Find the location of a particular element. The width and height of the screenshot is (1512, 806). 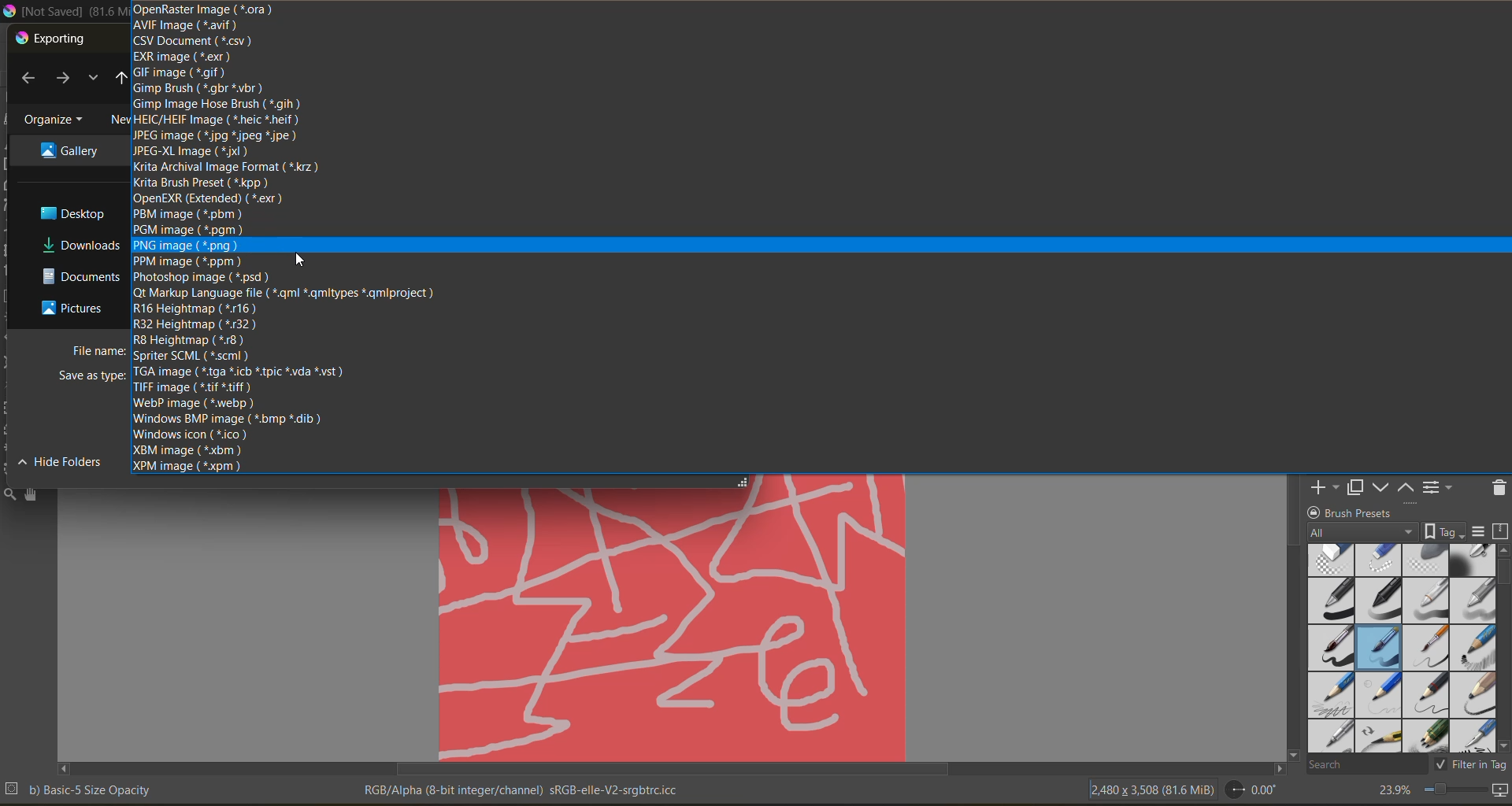

windows icon is located at coordinates (190, 434).